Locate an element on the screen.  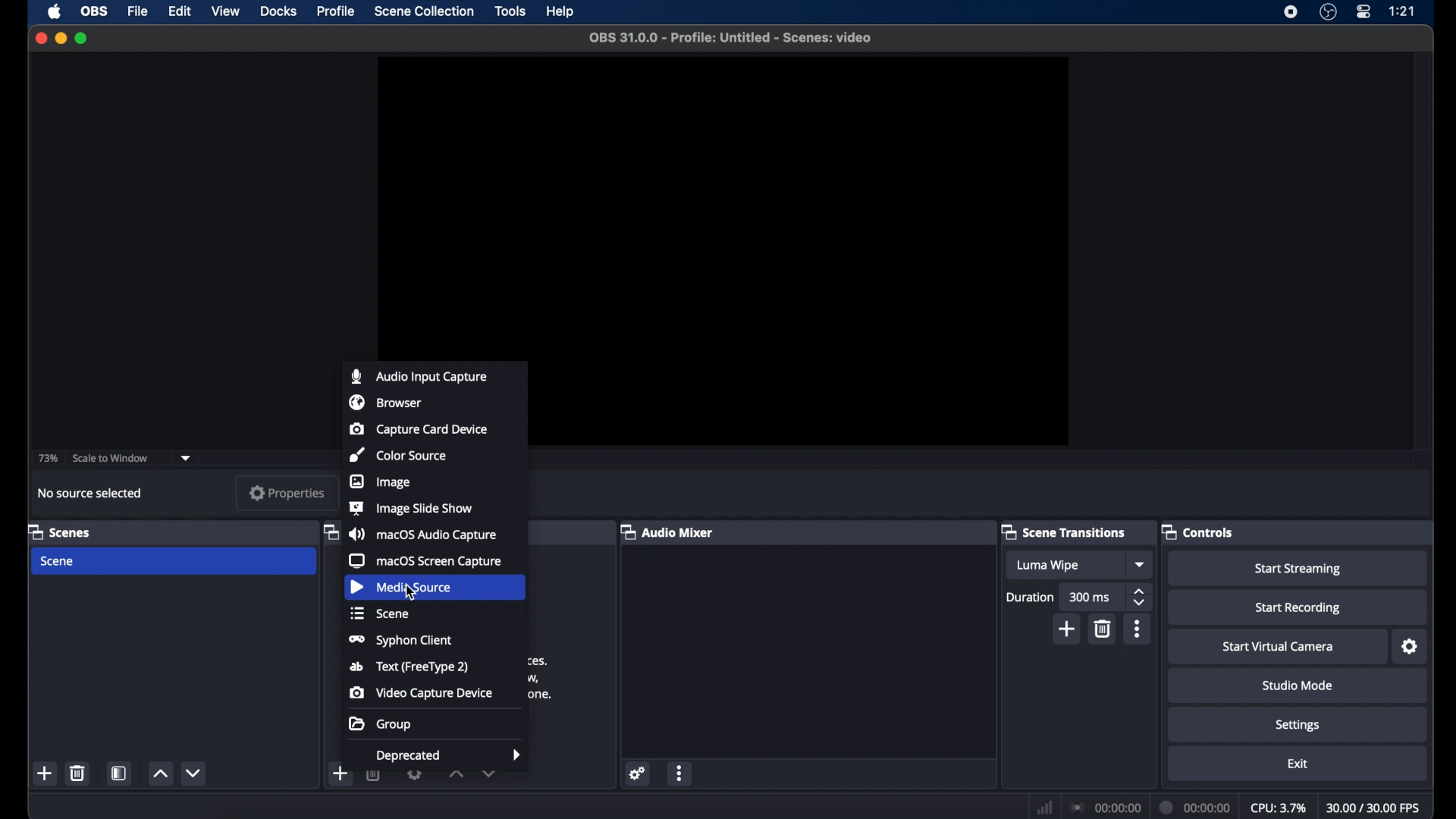
settings is located at coordinates (637, 773).